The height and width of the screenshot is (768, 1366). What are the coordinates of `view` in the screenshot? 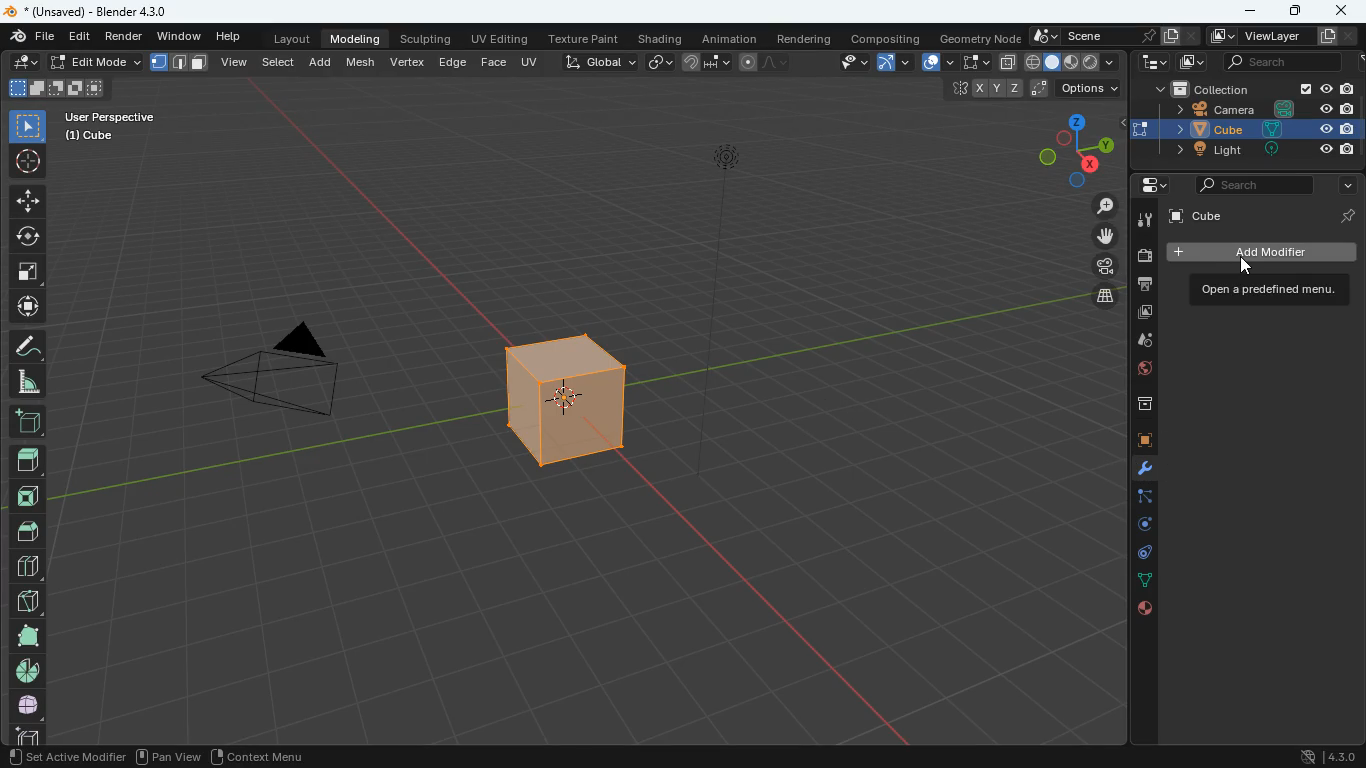 It's located at (236, 64).